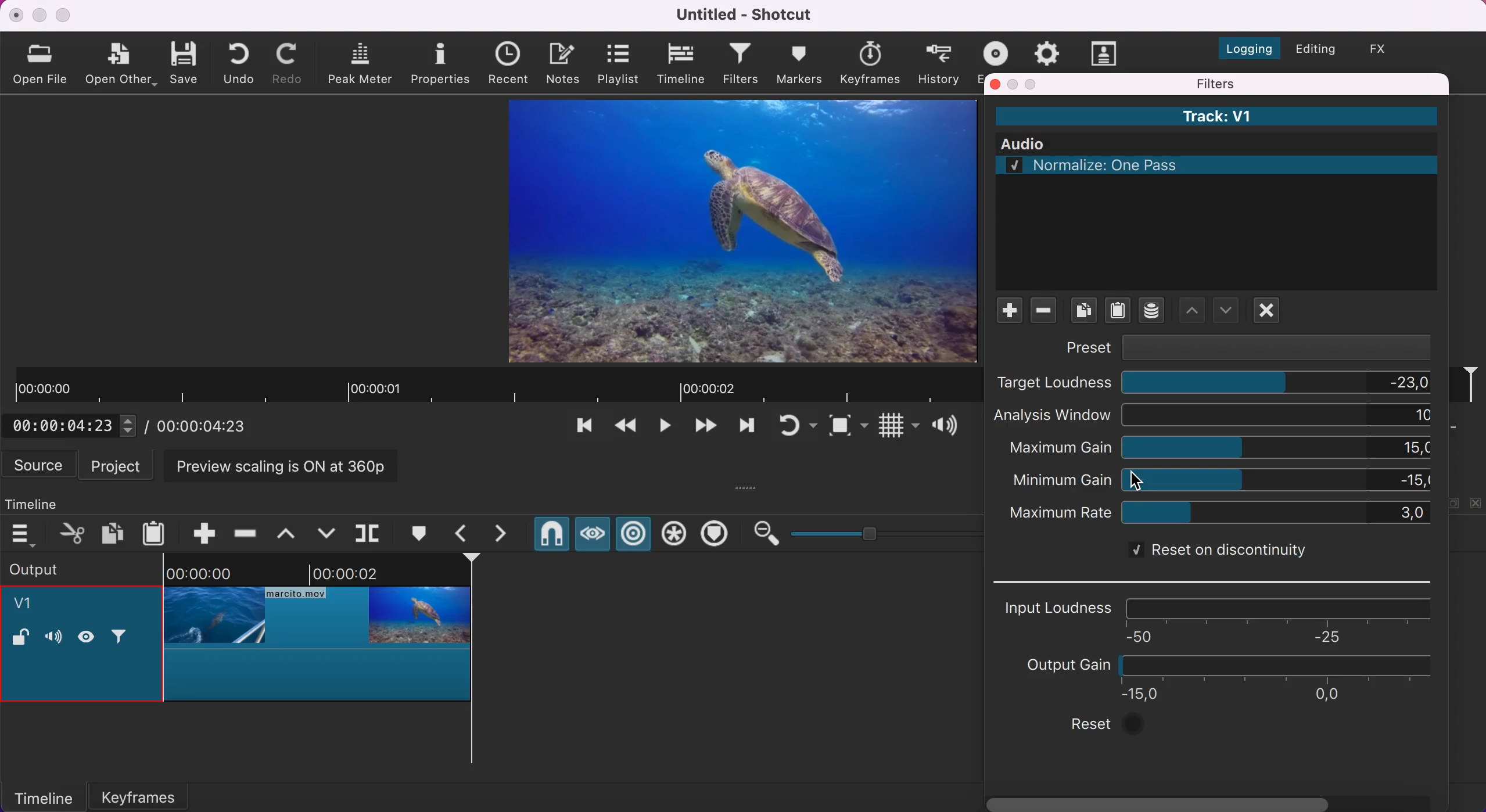  I want to click on jobs, so click(1047, 51).